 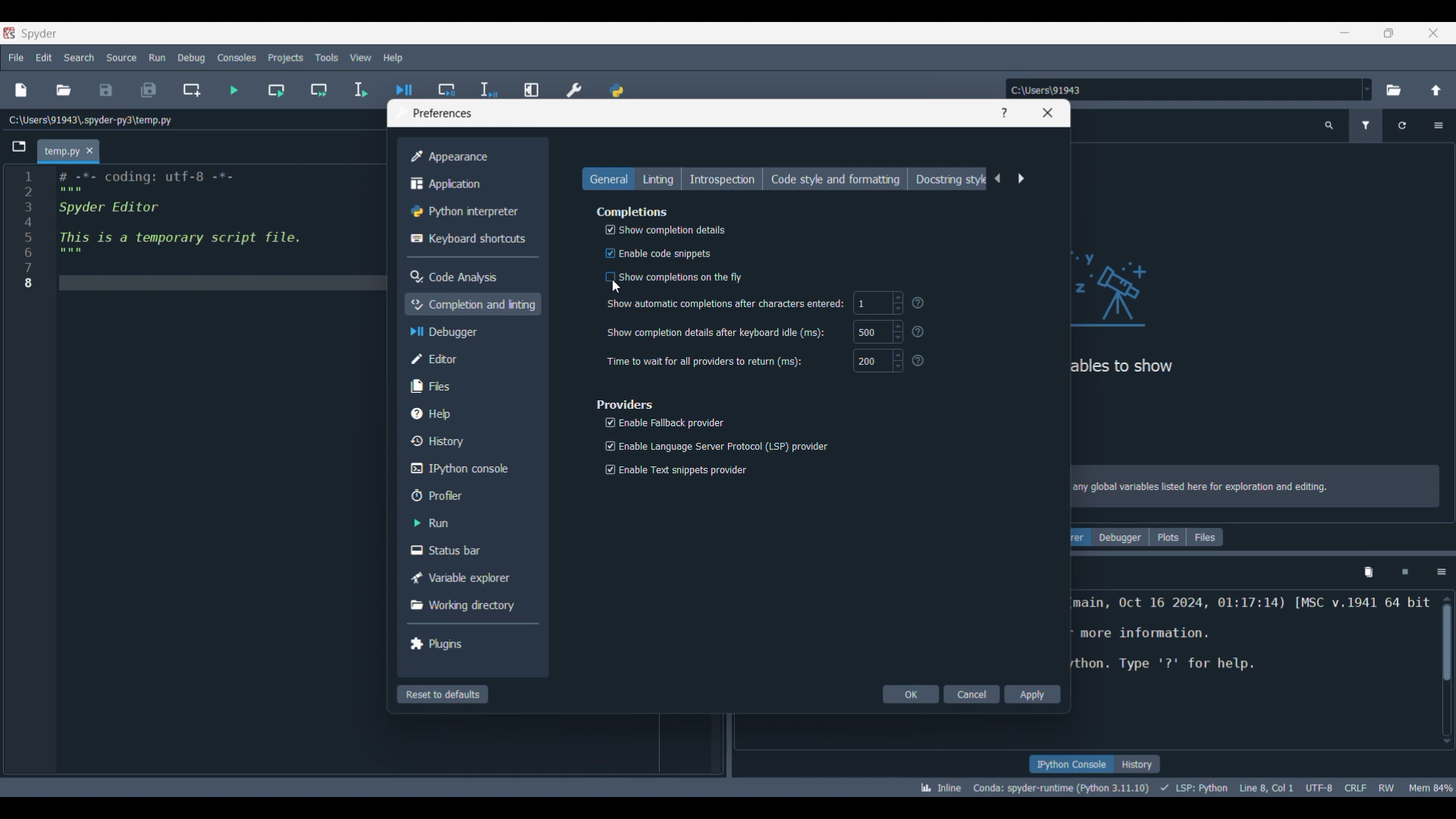 I want to click on ‘Show automatic completions after characters entered, so click(x=726, y=305).